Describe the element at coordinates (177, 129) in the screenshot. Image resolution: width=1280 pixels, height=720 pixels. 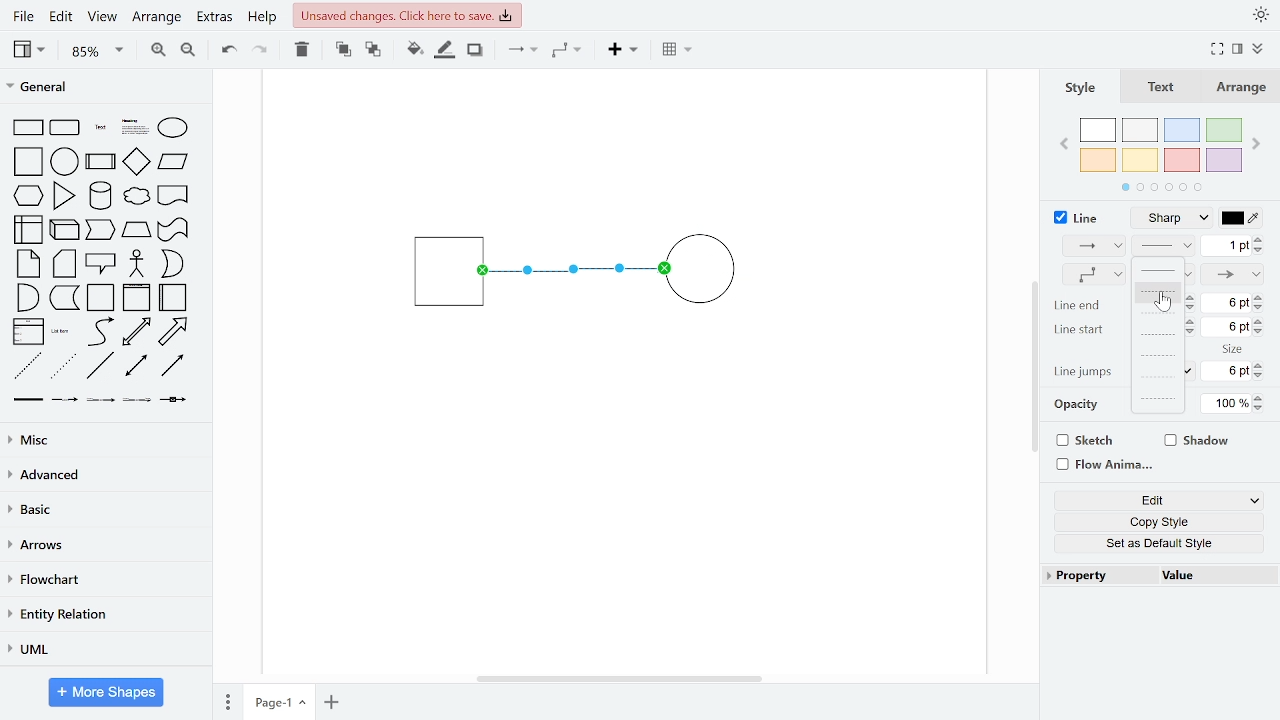
I see `ellipse` at that location.